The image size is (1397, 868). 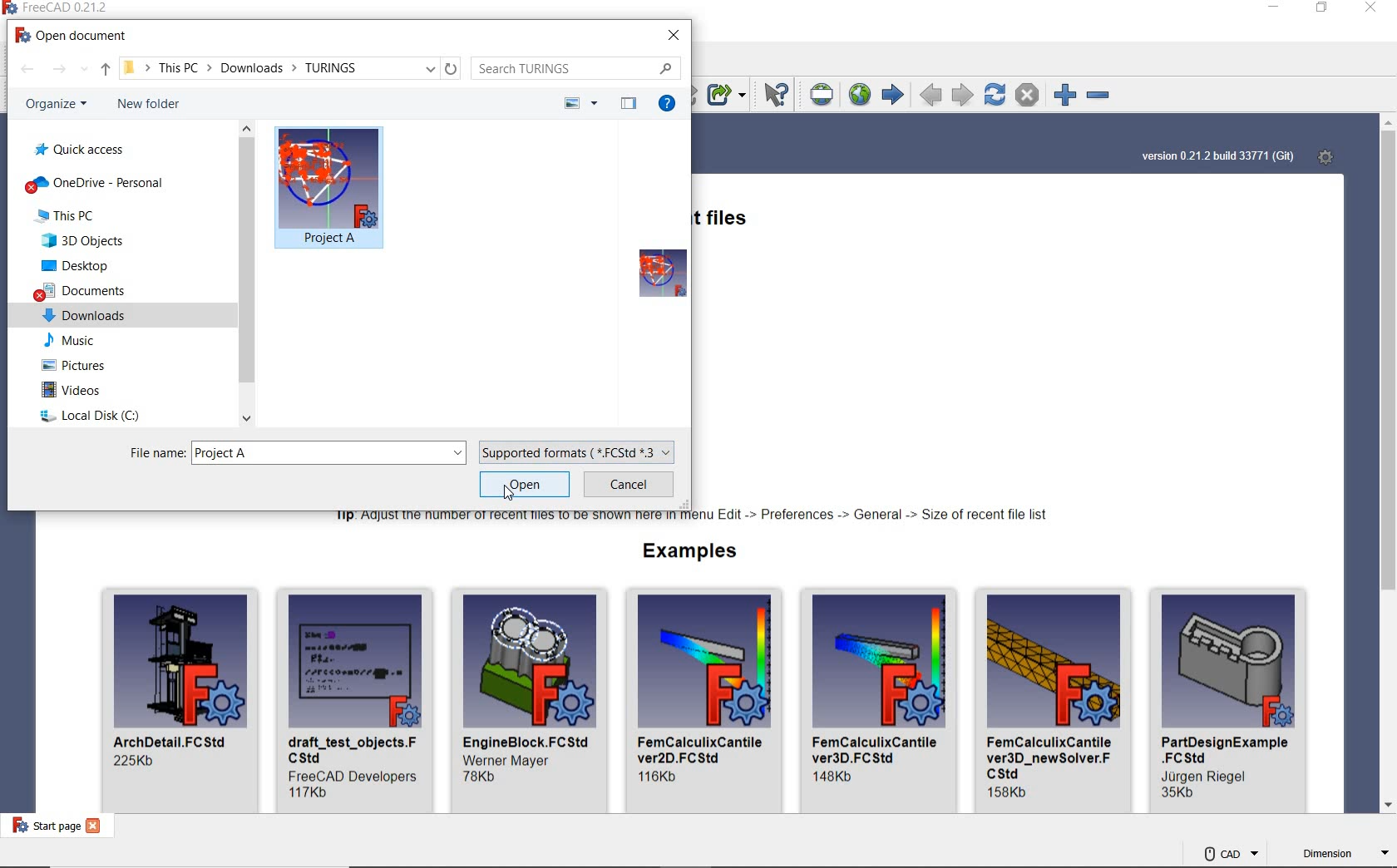 I want to click on SET URL, so click(x=823, y=95).